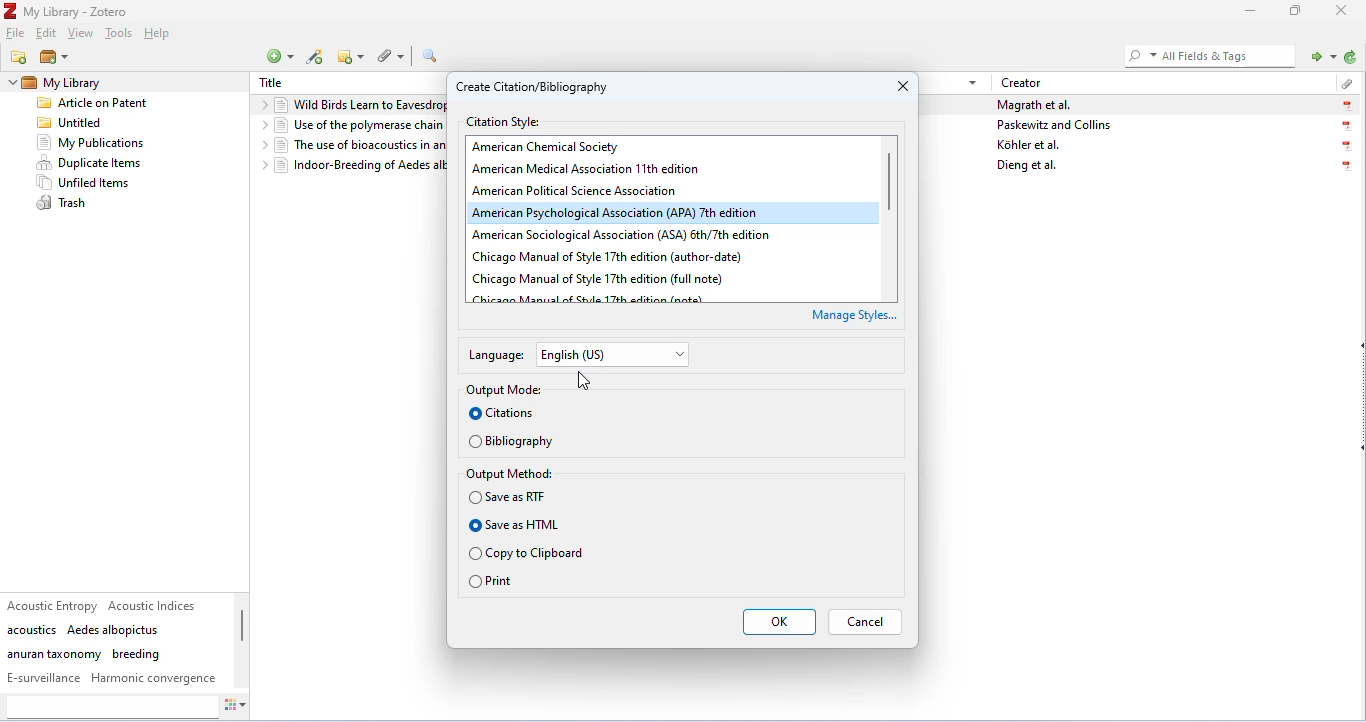 This screenshot has height=722, width=1366. Describe the element at coordinates (93, 105) in the screenshot. I see `article on patent` at that location.